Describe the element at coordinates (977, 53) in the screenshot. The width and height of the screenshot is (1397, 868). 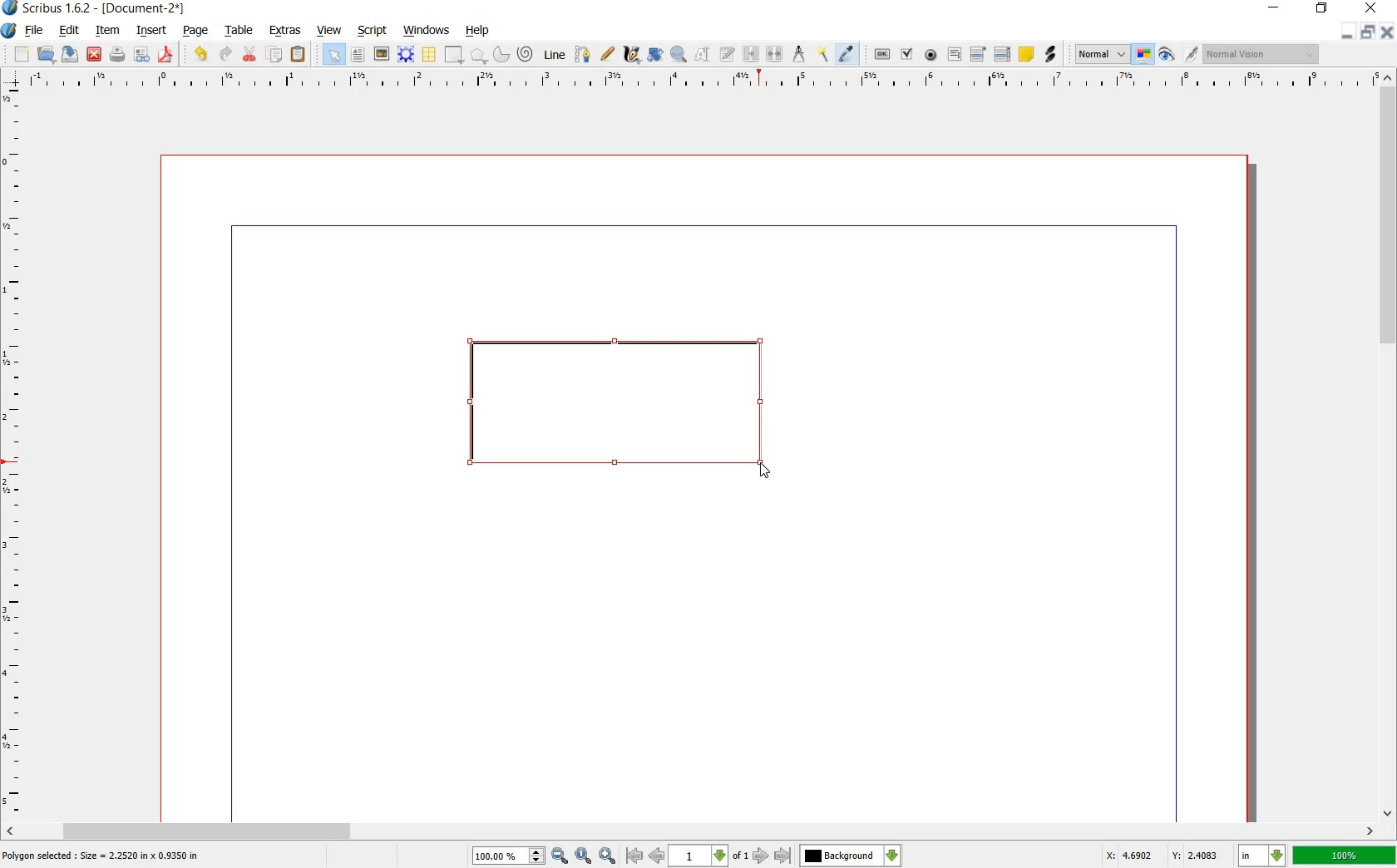
I see `PDF COMBO BOX` at that location.